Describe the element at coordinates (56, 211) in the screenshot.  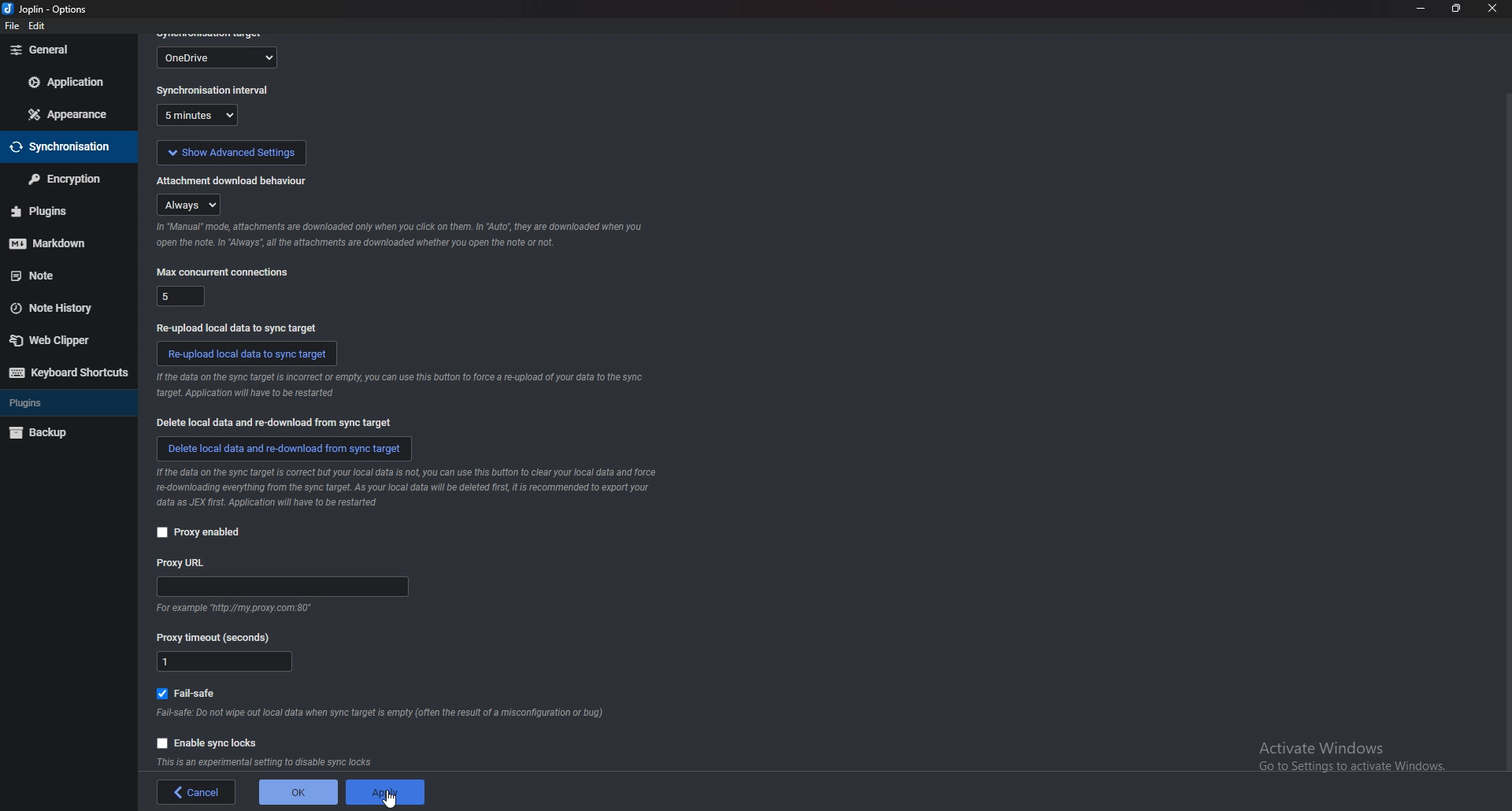
I see `plugins` at that location.